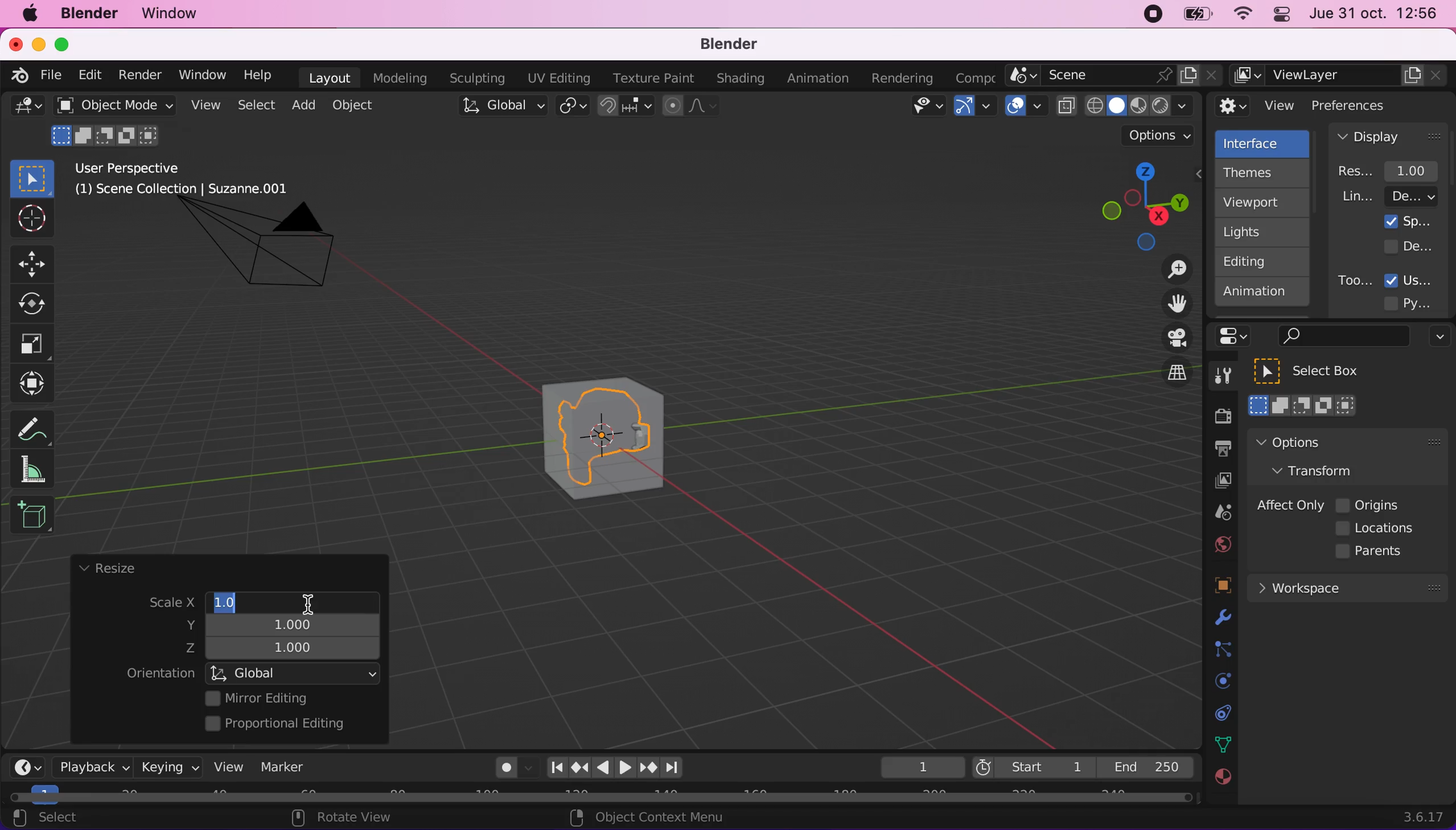 This screenshot has height=830, width=1456. Describe the element at coordinates (233, 601) in the screenshot. I see `selected scale` at that location.